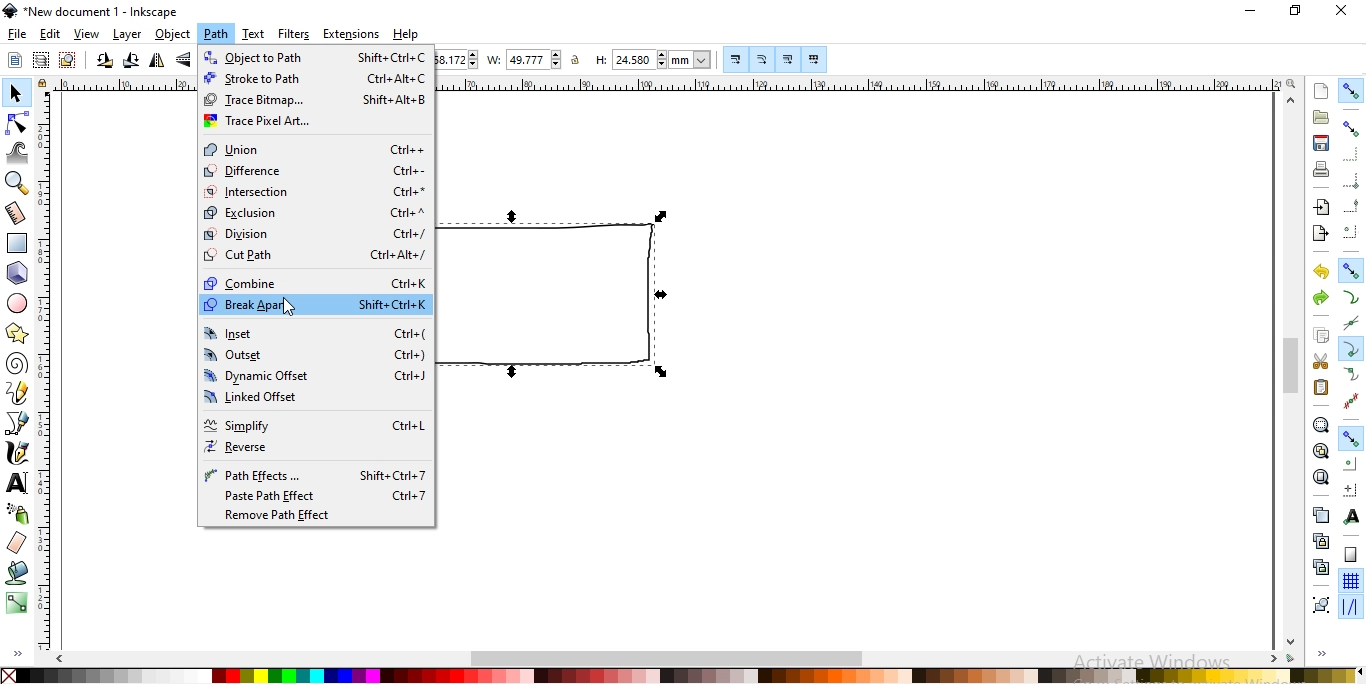 Image resolution: width=1366 pixels, height=684 pixels. Describe the element at coordinates (1322, 336) in the screenshot. I see `copy` at that location.